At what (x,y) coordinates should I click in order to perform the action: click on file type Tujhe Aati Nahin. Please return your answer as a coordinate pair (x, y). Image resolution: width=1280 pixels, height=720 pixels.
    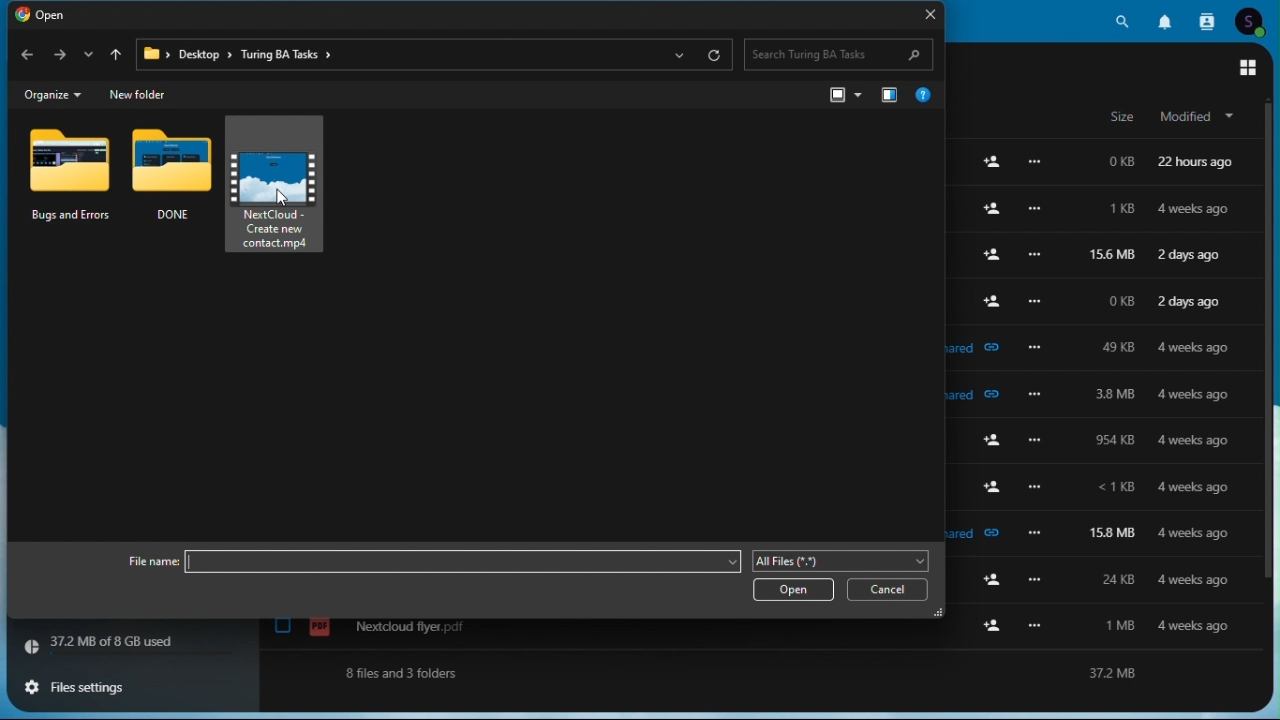
    Looking at the image, I should click on (842, 560).